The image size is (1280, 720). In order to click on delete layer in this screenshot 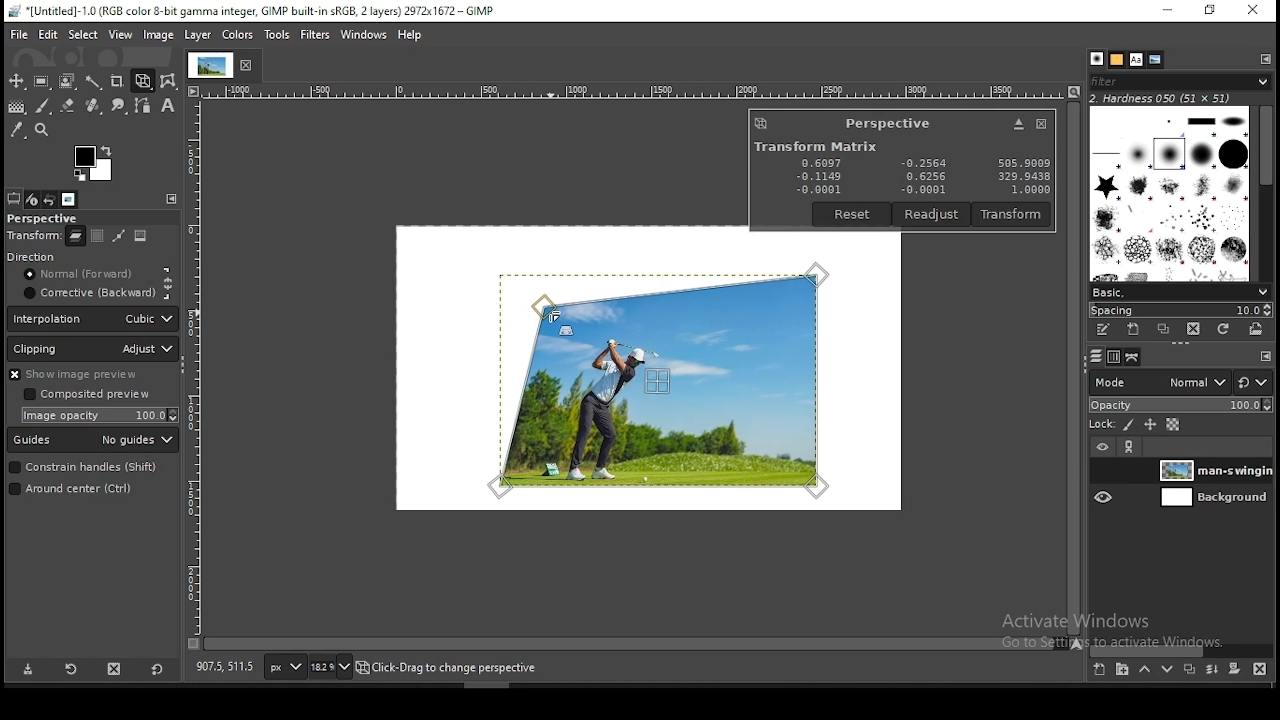, I will do `click(1260, 668)`.